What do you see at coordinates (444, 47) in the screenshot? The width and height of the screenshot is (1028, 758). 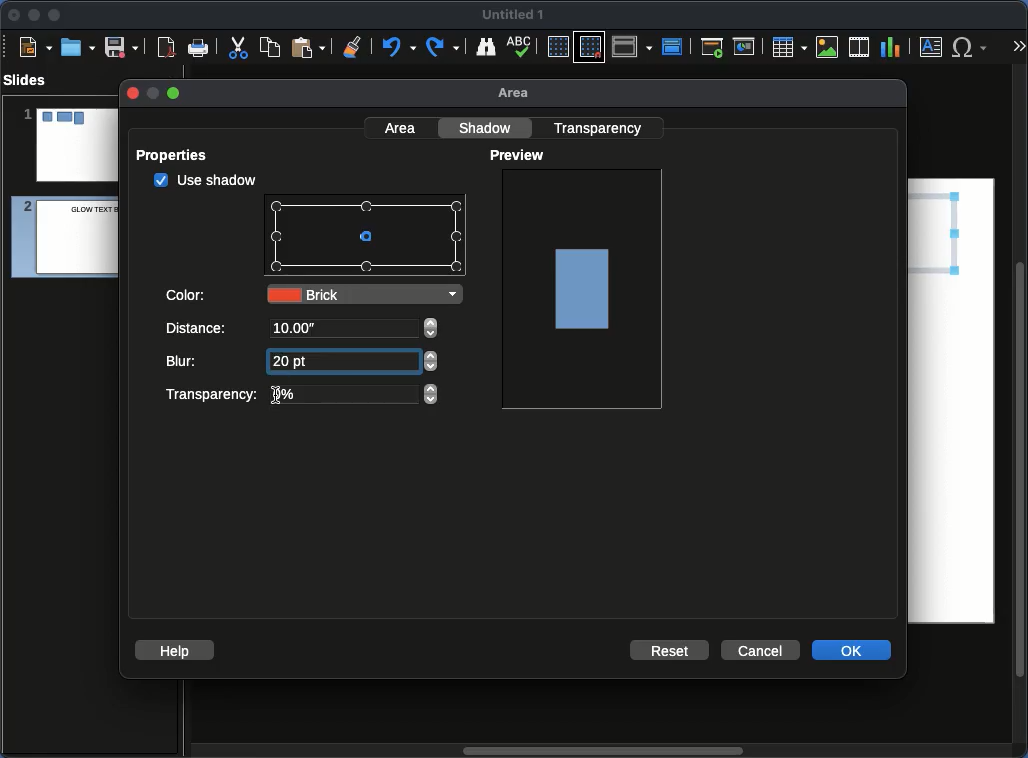 I see `Redo` at bounding box center [444, 47].